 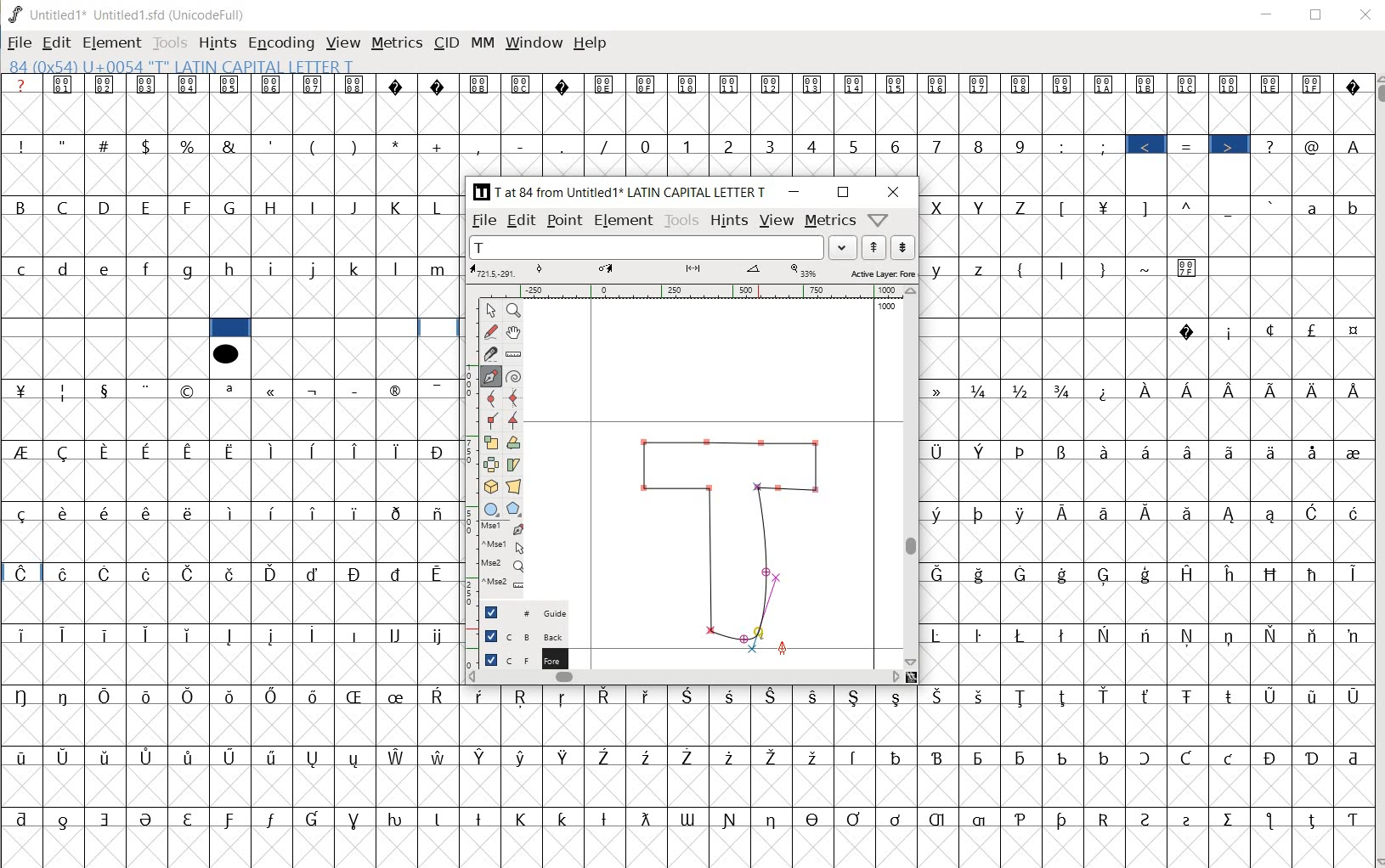 What do you see at coordinates (344, 42) in the screenshot?
I see `view` at bounding box center [344, 42].